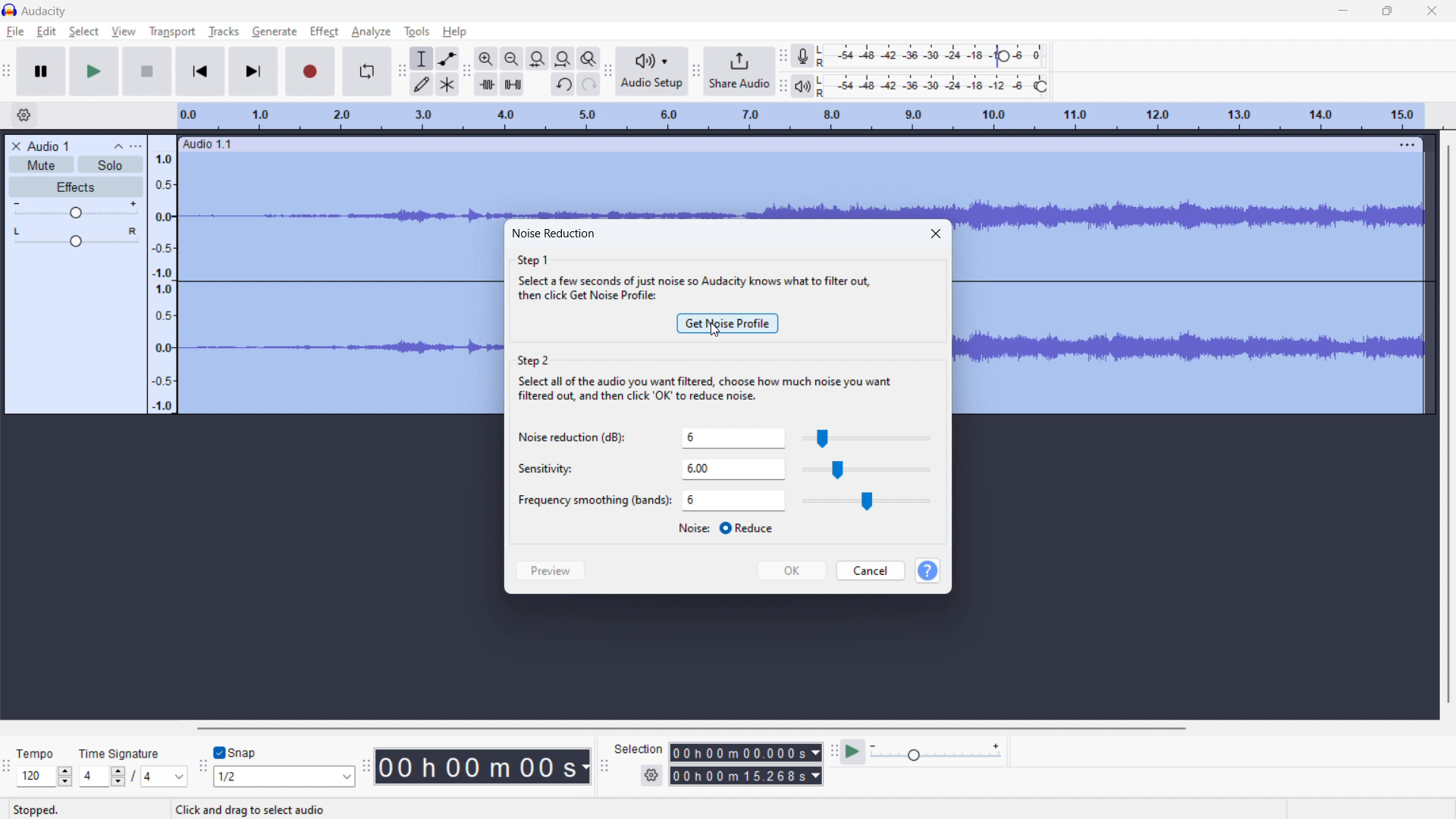 The image size is (1456, 819). What do you see at coordinates (41, 165) in the screenshot?
I see `mute` at bounding box center [41, 165].